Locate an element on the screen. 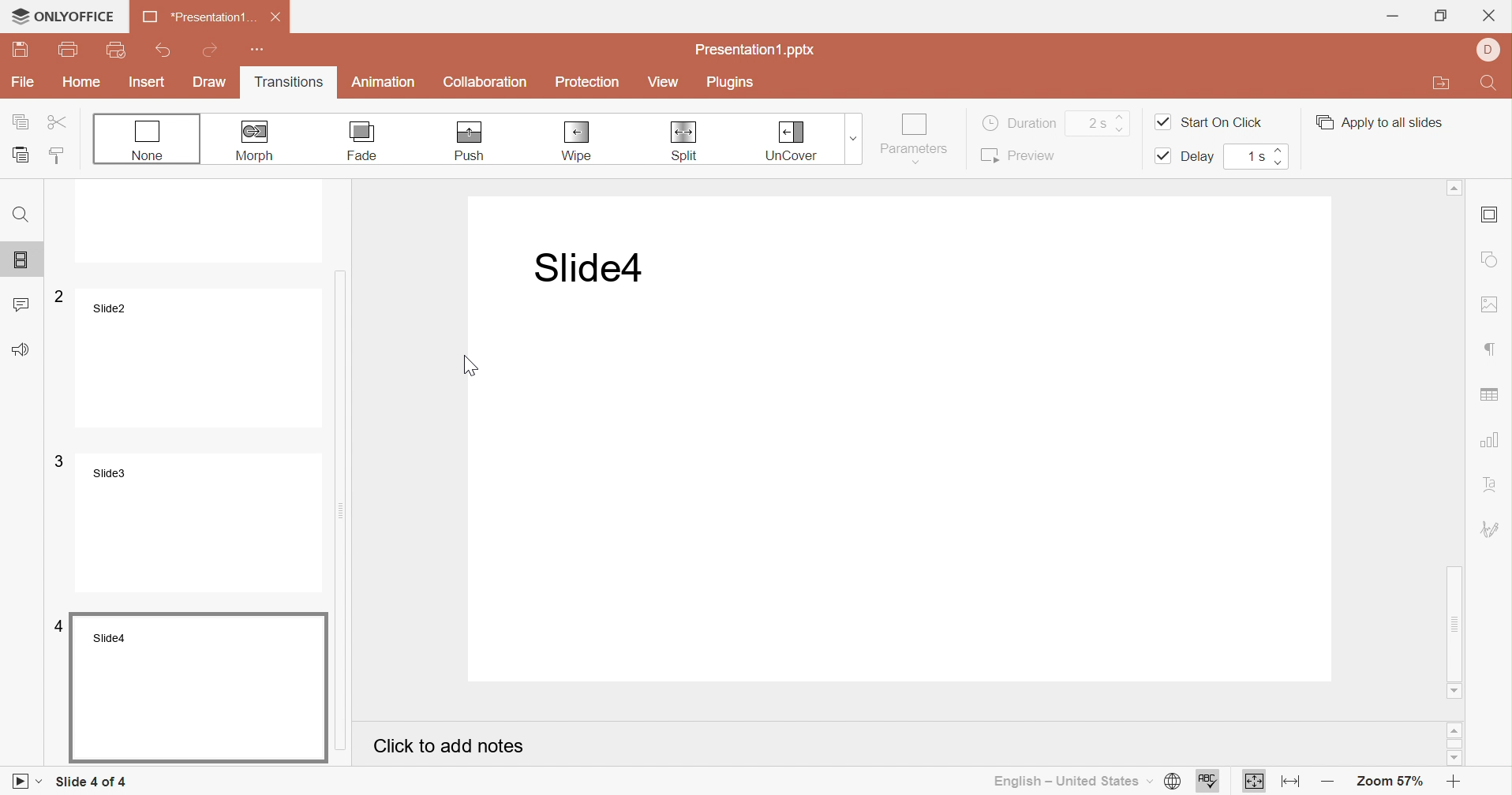  Print file is located at coordinates (68, 50).